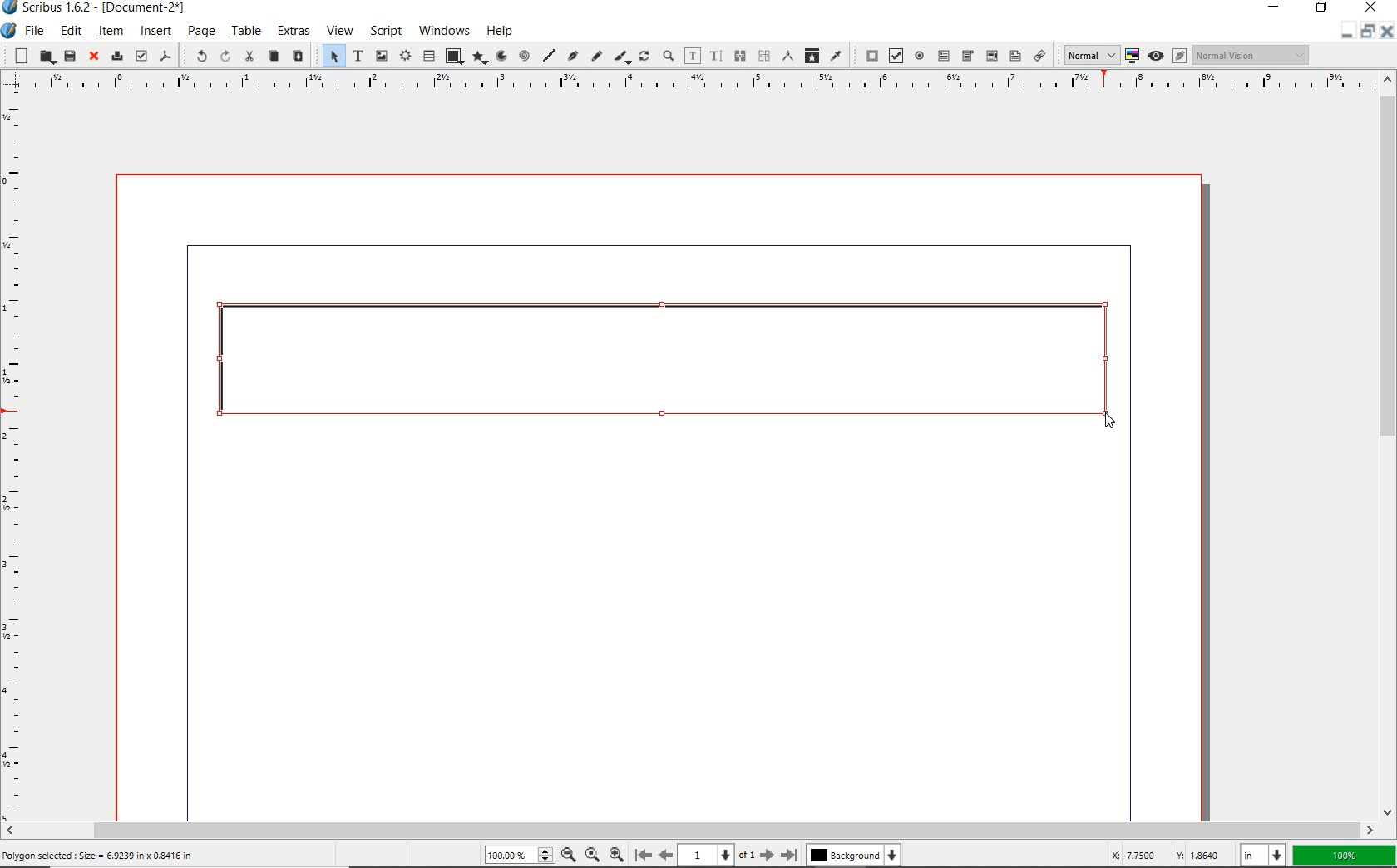 This screenshot has height=868, width=1397. Describe the element at coordinates (550, 55) in the screenshot. I see `line` at that location.